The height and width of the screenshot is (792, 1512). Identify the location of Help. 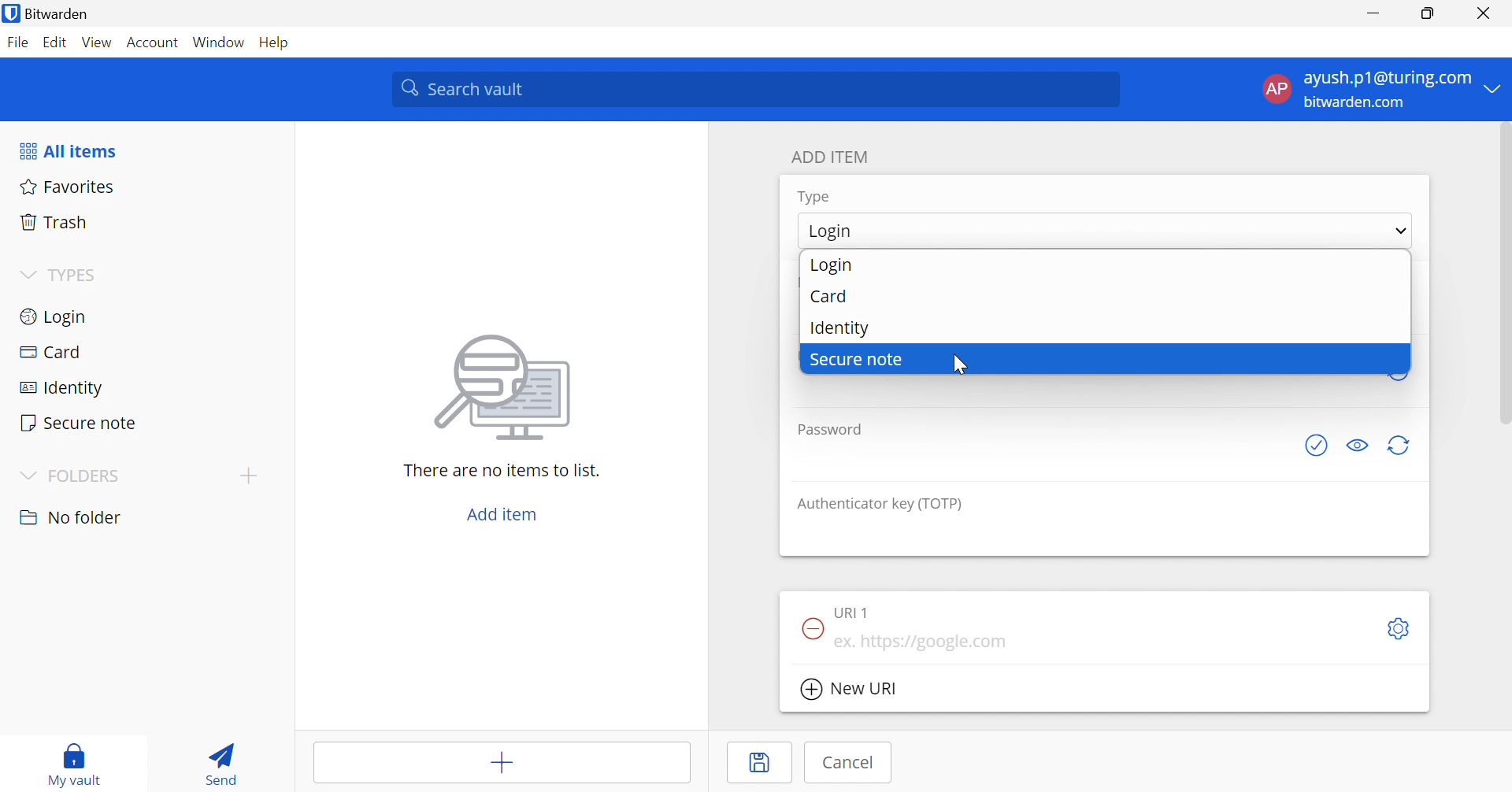
(281, 43).